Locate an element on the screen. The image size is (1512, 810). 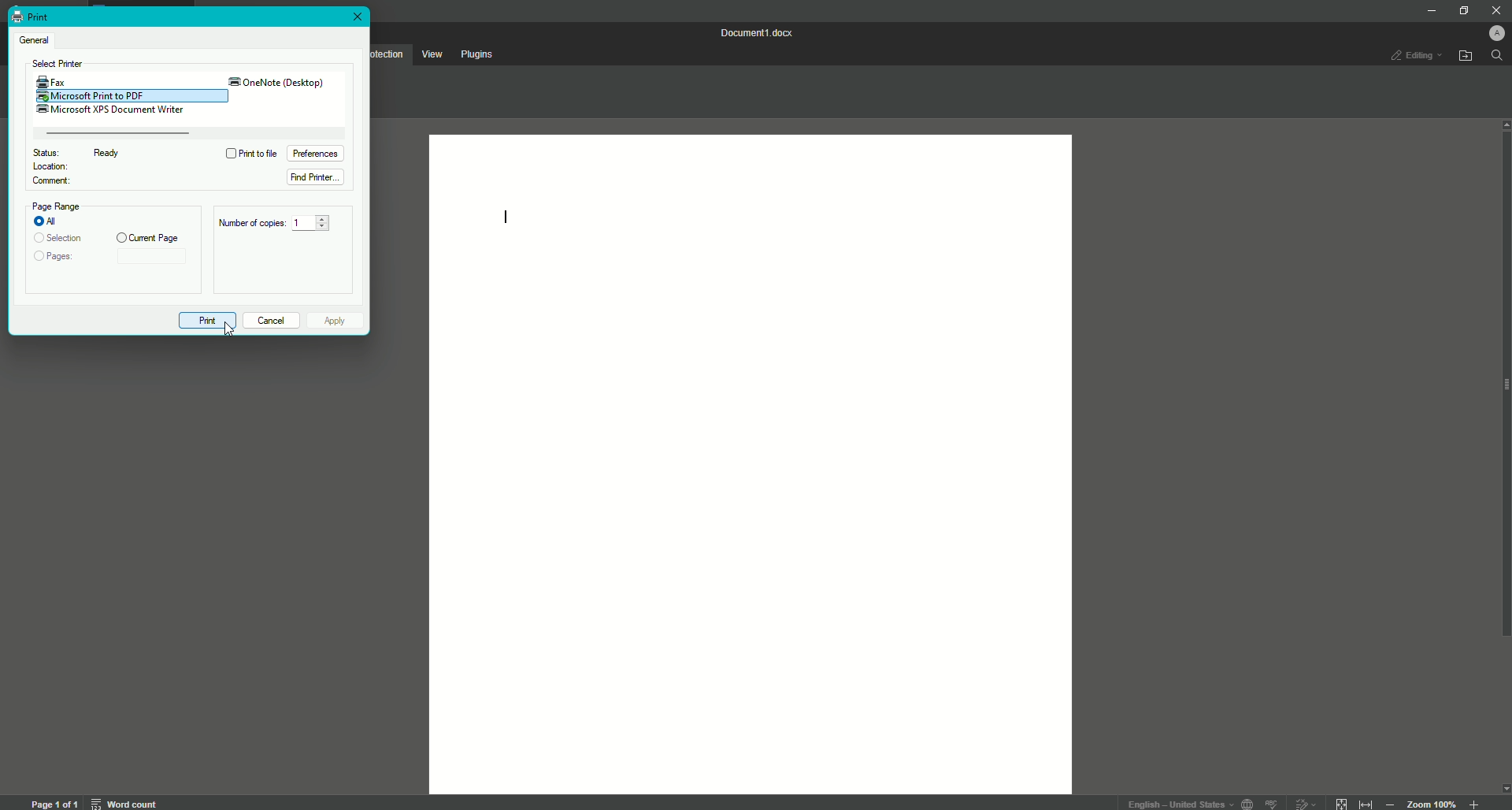
Find Printer is located at coordinates (314, 178).